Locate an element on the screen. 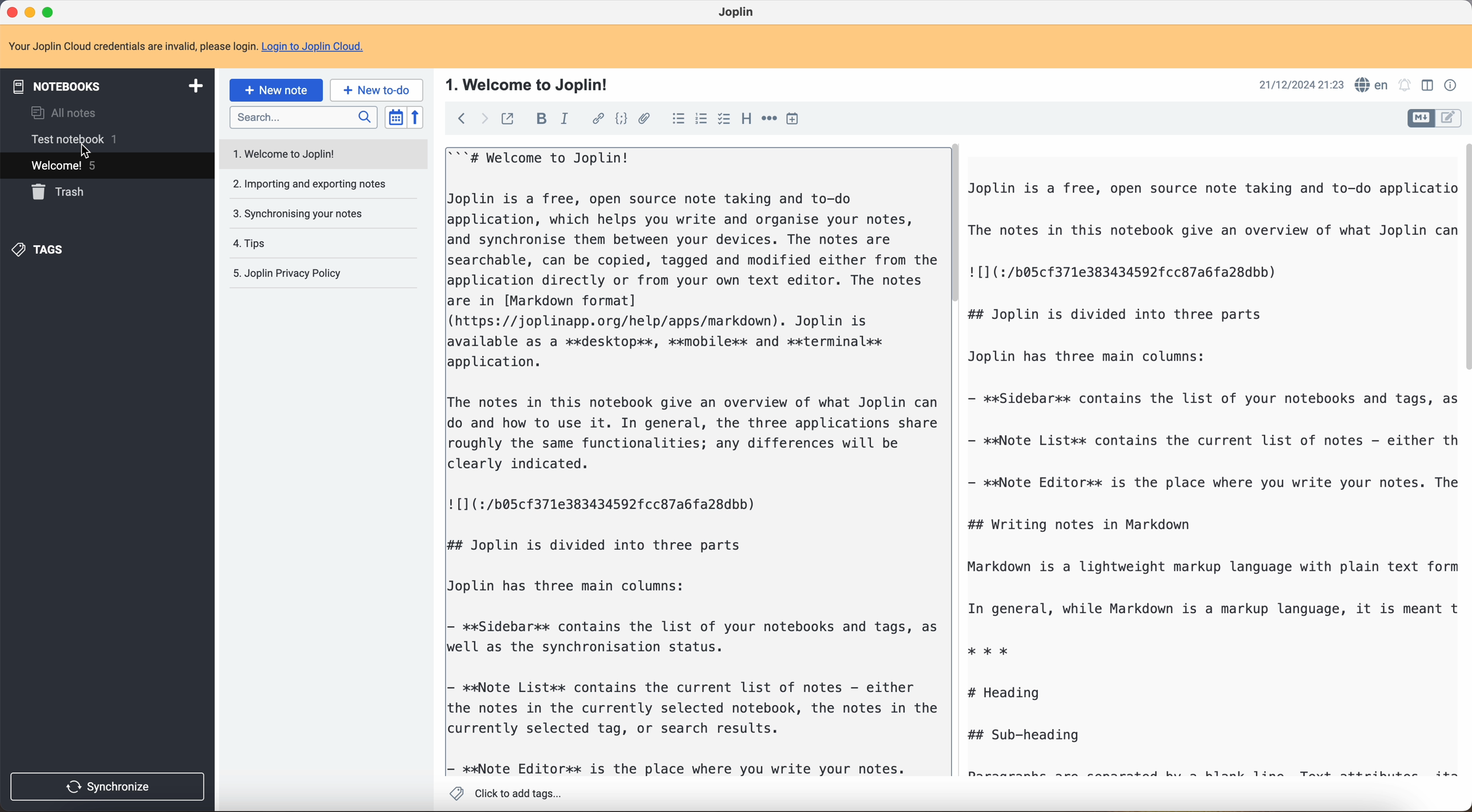 Image resolution: width=1472 pixels, height=812 pixels. numbered list is located at coordinates (703, 118).